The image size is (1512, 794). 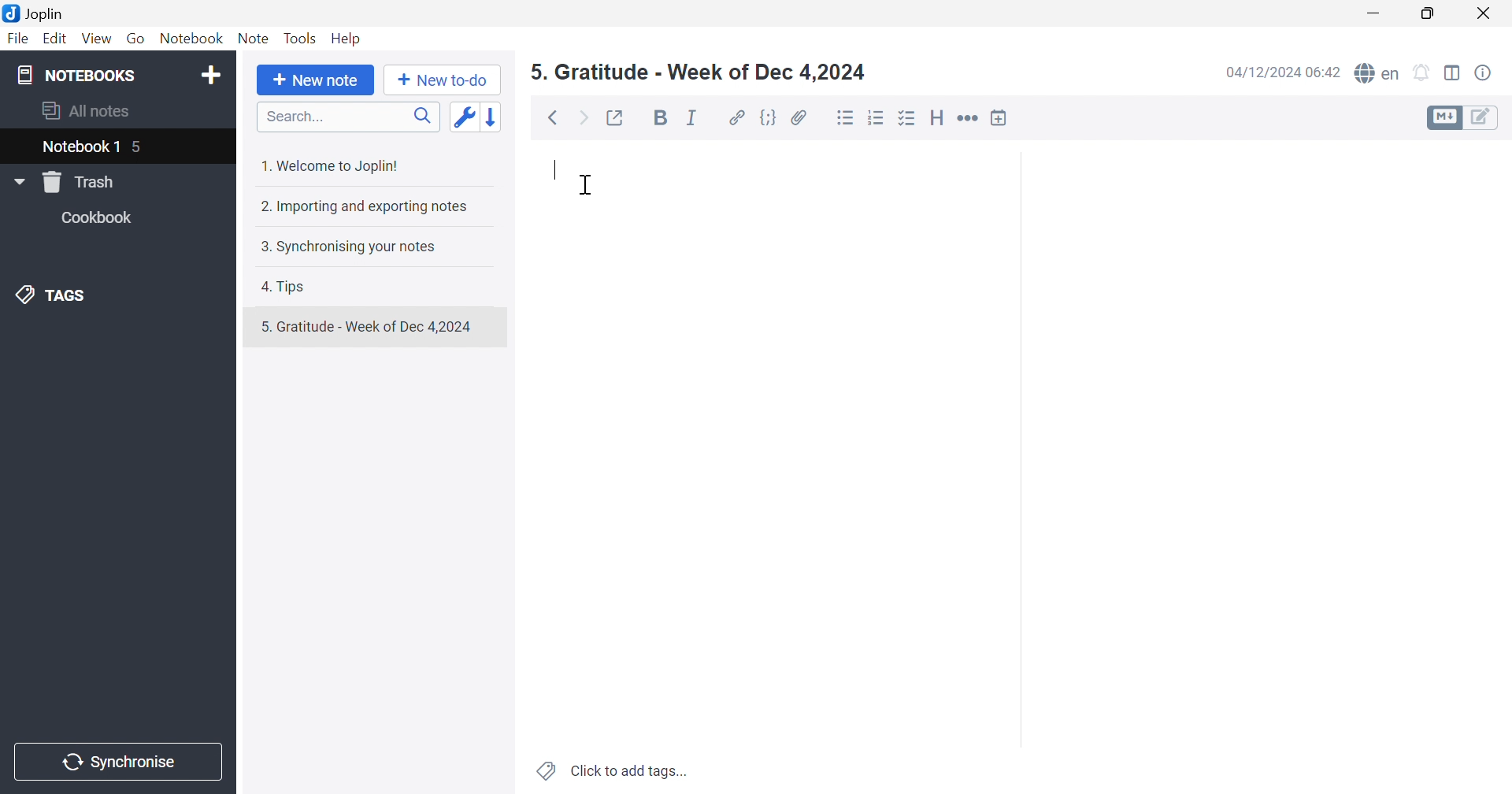 What do you see at coordinates (18, 181) in the screenshot?
I see `Drop Down` at bounding box center [18, 181].